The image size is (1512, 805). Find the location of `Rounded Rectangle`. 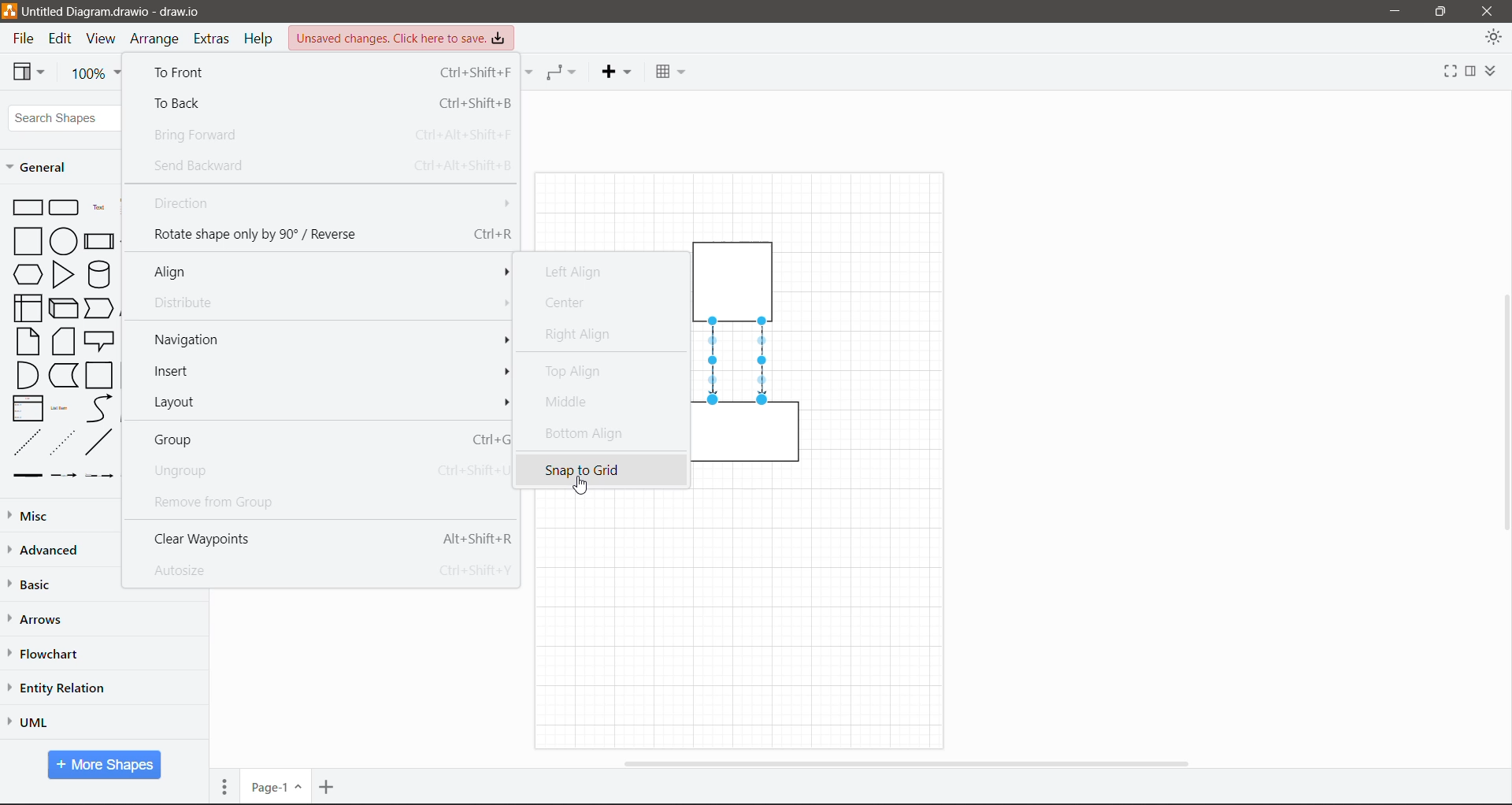

Rounded Rectangle is located at coordinates (65, 206).